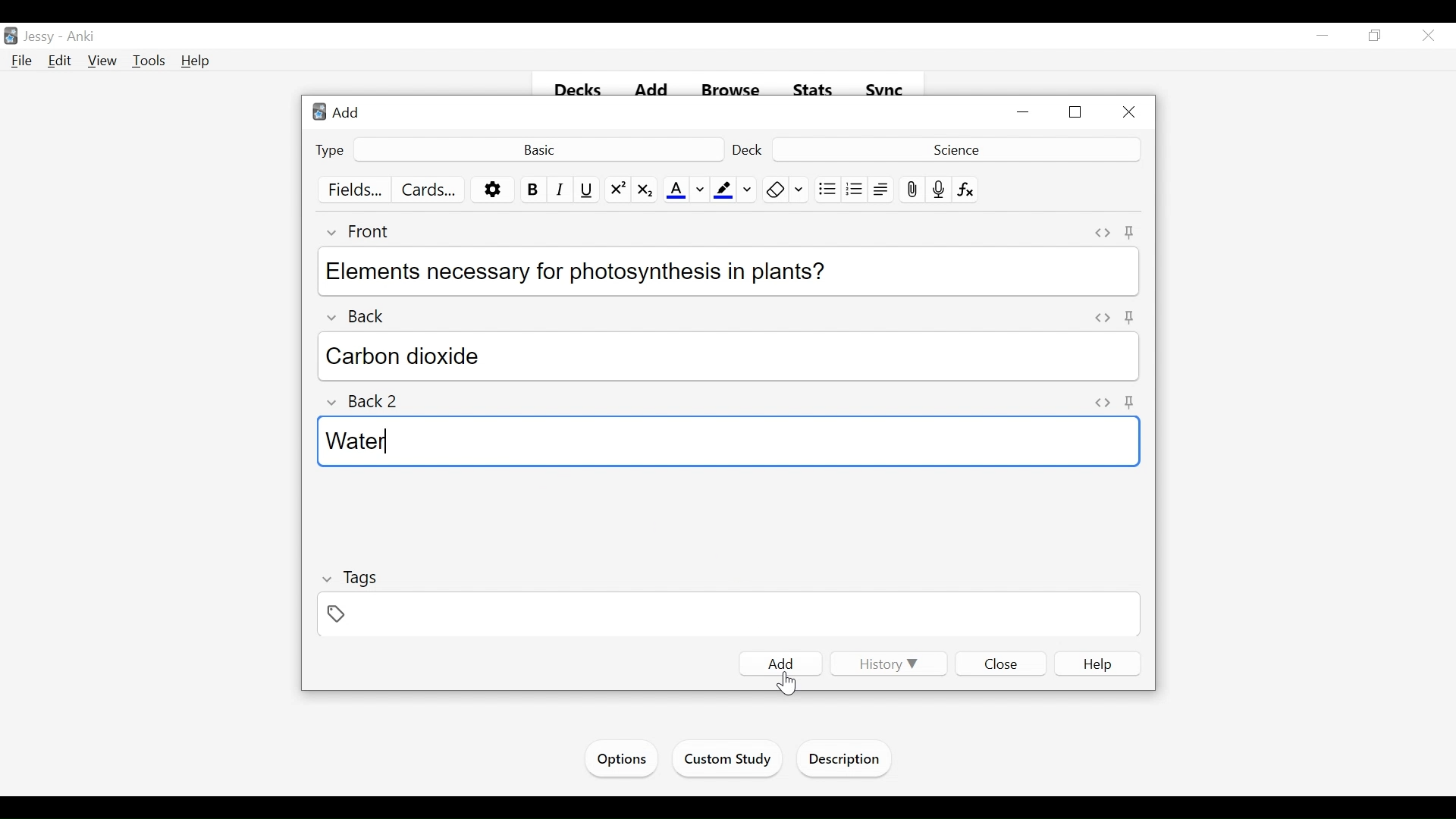  Describe the element at coordinates (724, 269) in the screenshot. I see `Elements necessary for photosynthesis in plants?` at that location.